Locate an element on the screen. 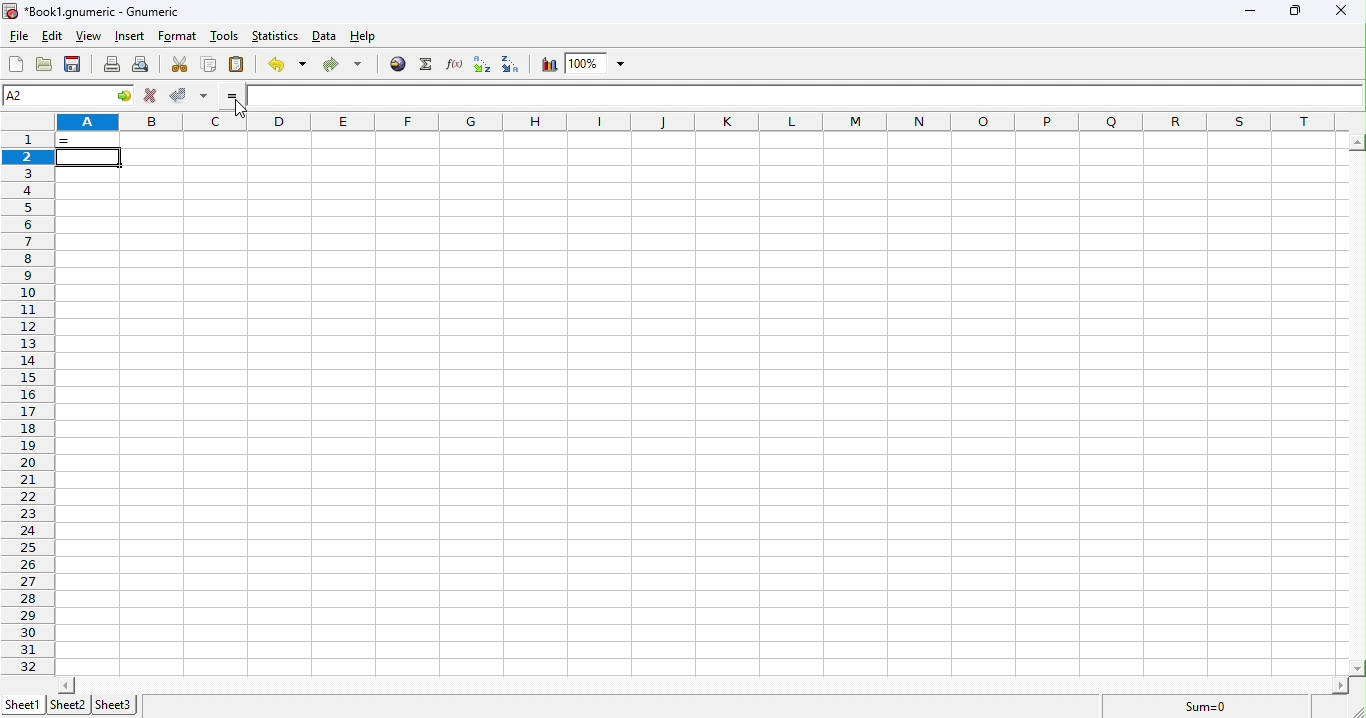 The height and width of the screenshot is (718, 1366). save is located at coordinates (73, 65).